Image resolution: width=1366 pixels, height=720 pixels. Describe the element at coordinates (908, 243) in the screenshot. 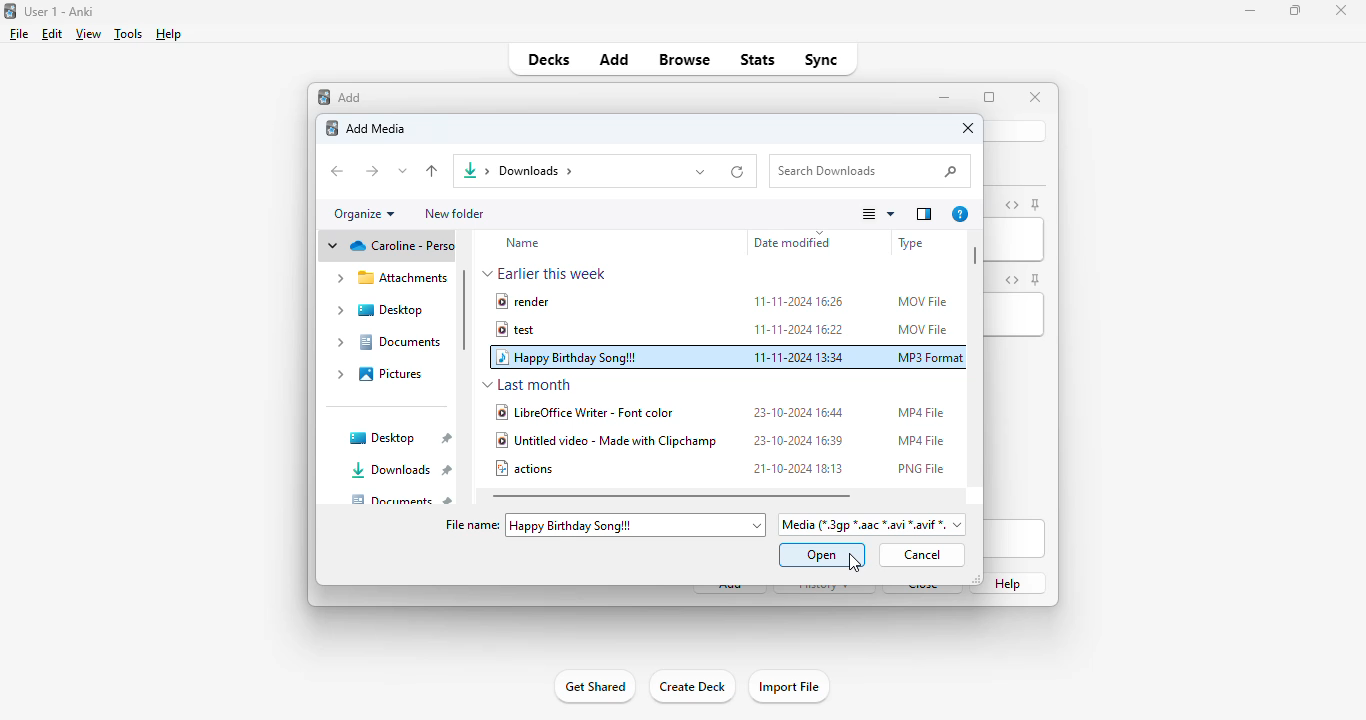

I see `file type` at that location.